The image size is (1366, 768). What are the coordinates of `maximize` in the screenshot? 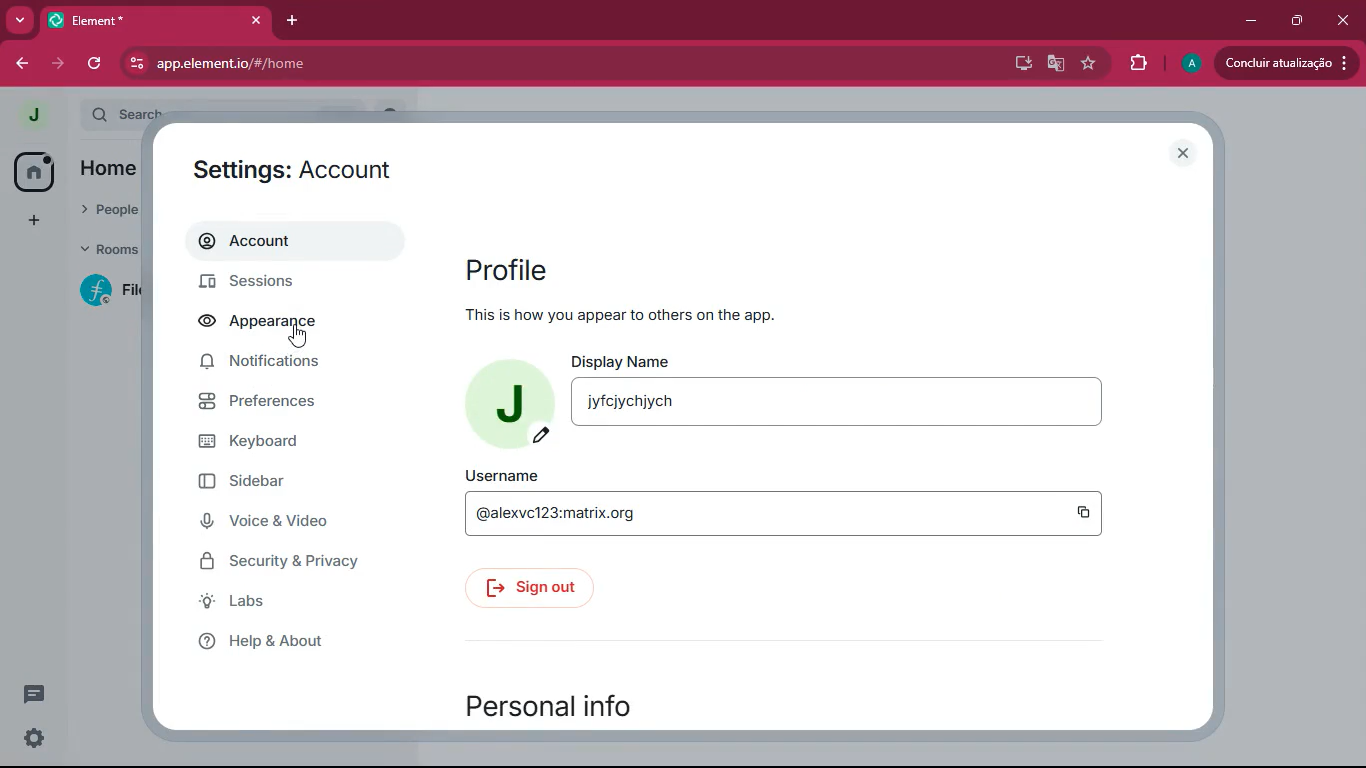 It's located at (1297, 22).